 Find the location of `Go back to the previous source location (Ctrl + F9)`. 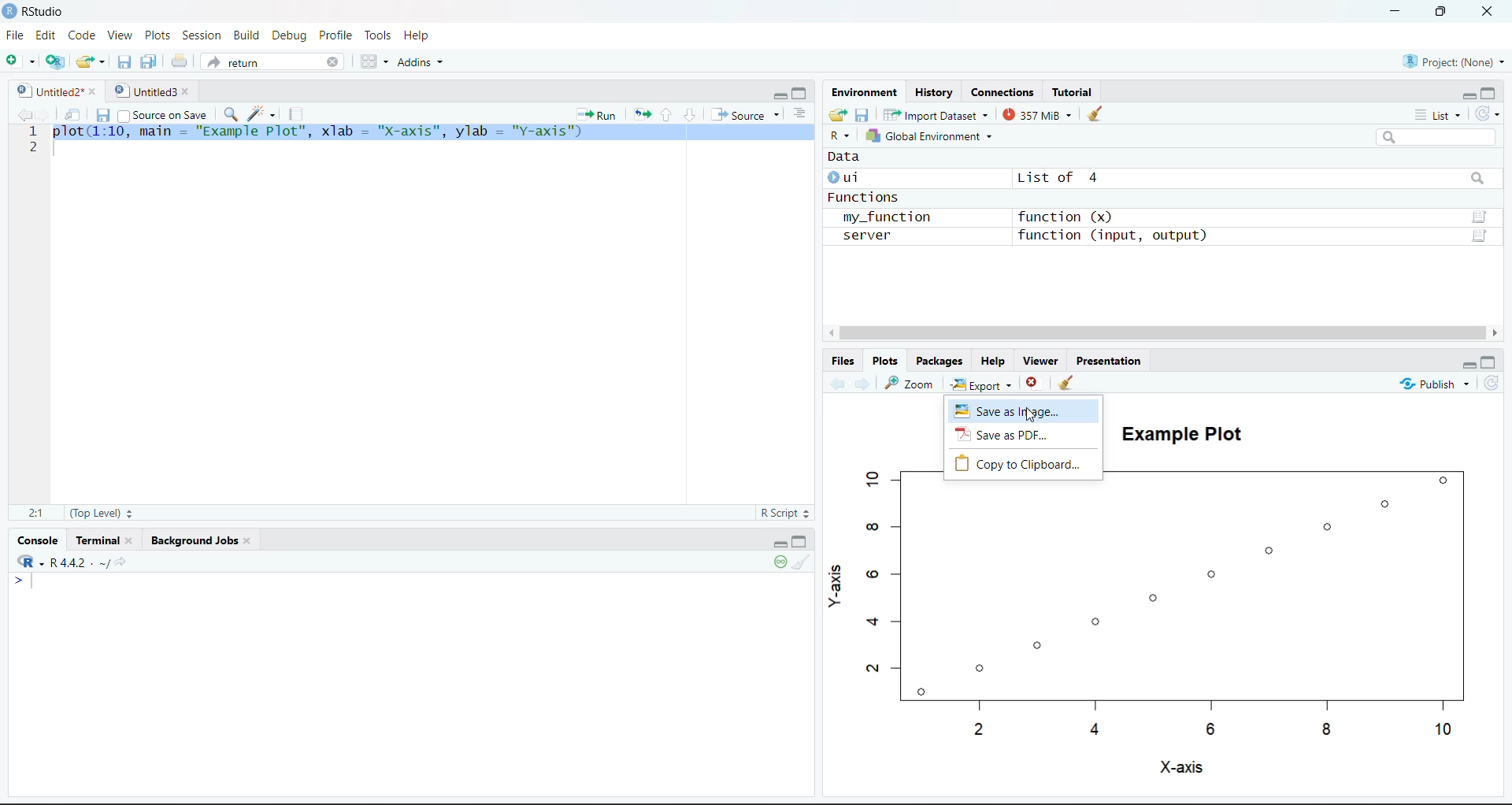

Go back to the previous source location (Ctrl + F9) is located at coordinates (836, 383).